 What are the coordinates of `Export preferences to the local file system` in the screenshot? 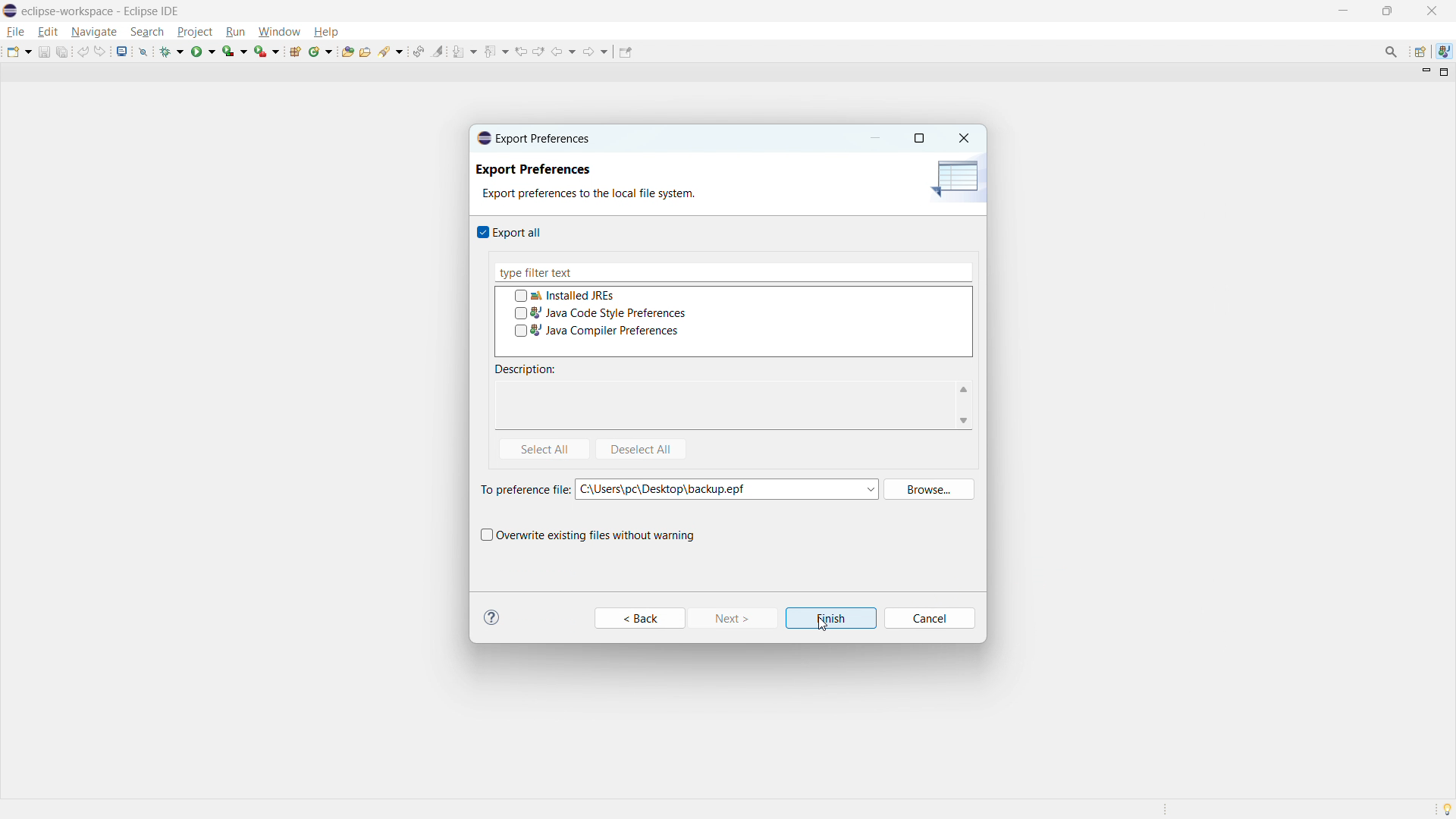 It's located at (604, 197).